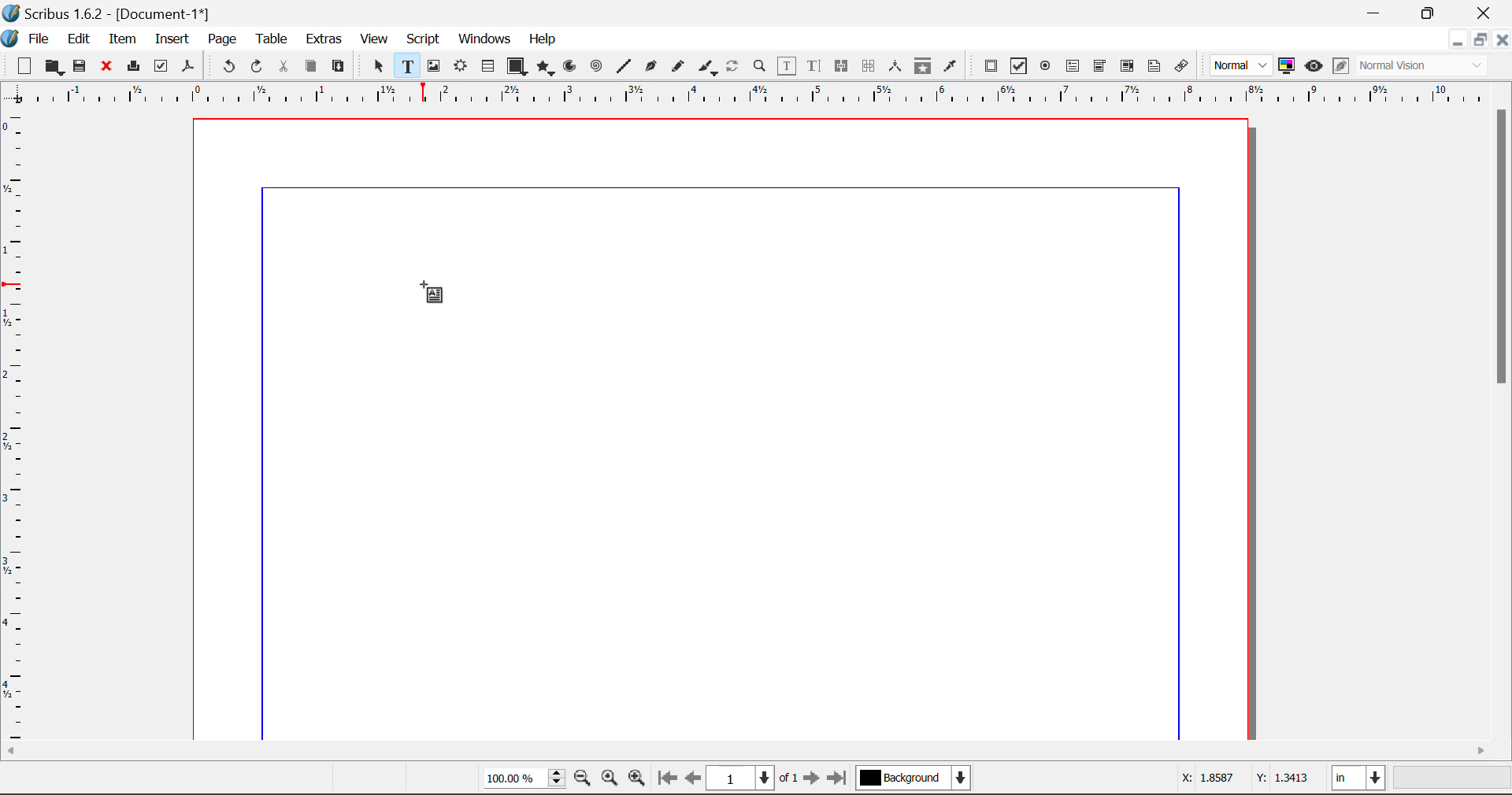 The width and height of the screenshot is (1512, 795). I want to click on Document Workspace, so click(728, 427).